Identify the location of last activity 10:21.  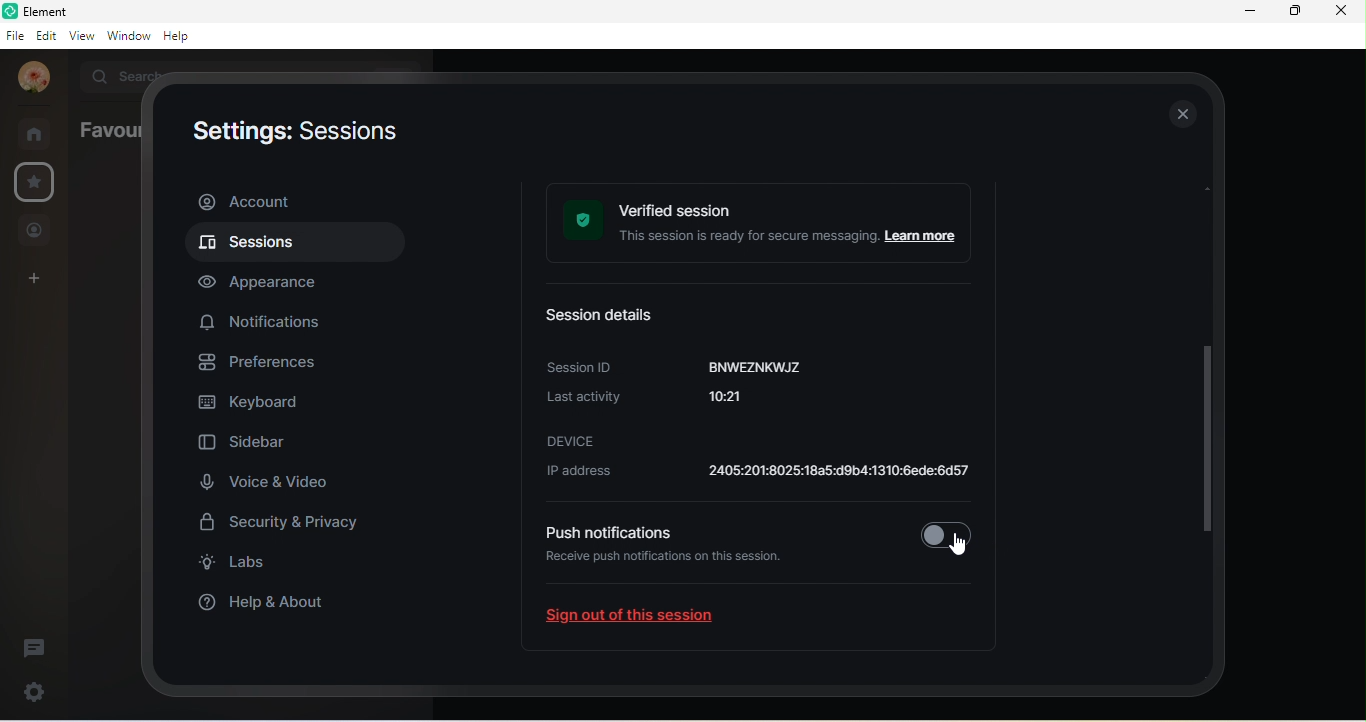
(666, 403).